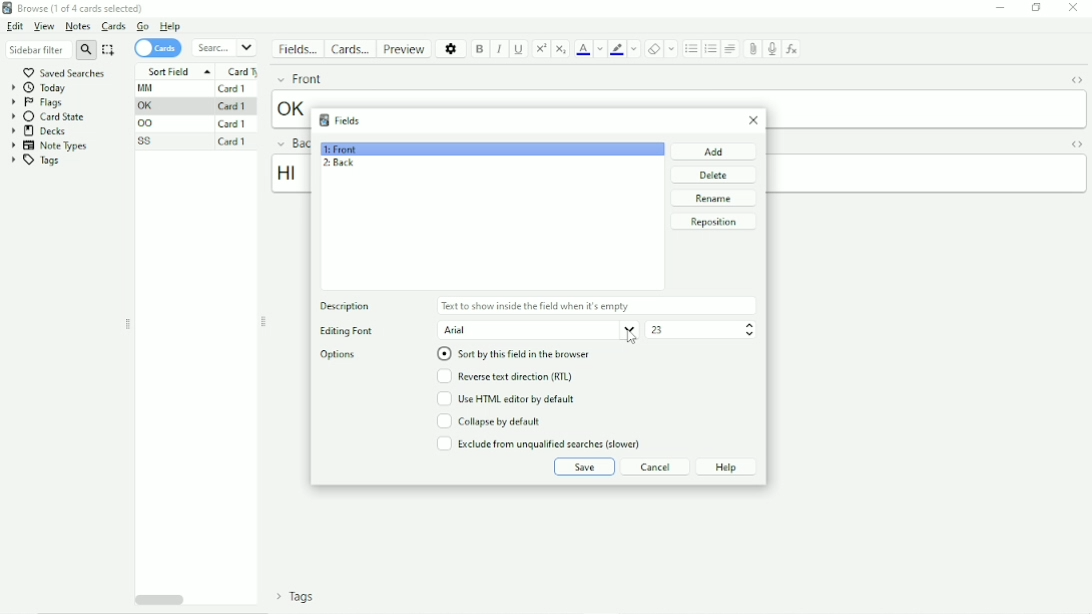 This screenshot has width=1092, height=614. What do you see at coordinates (754, 49) in the screenshot?
I see `Attach picture/audio/video` at bounding box center [754, 49].